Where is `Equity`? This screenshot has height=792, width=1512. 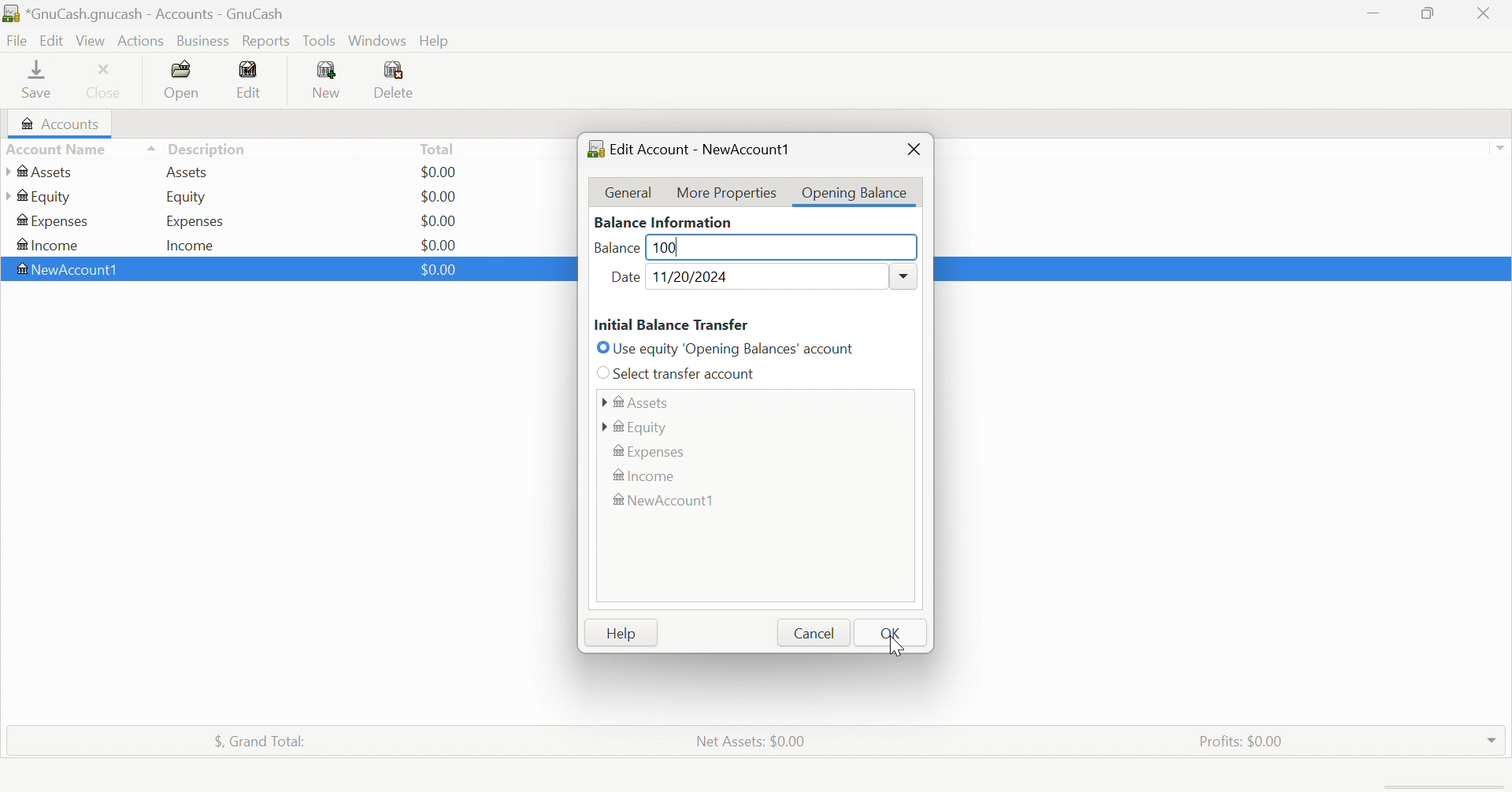 Equity is located at coordinates (38, 197).